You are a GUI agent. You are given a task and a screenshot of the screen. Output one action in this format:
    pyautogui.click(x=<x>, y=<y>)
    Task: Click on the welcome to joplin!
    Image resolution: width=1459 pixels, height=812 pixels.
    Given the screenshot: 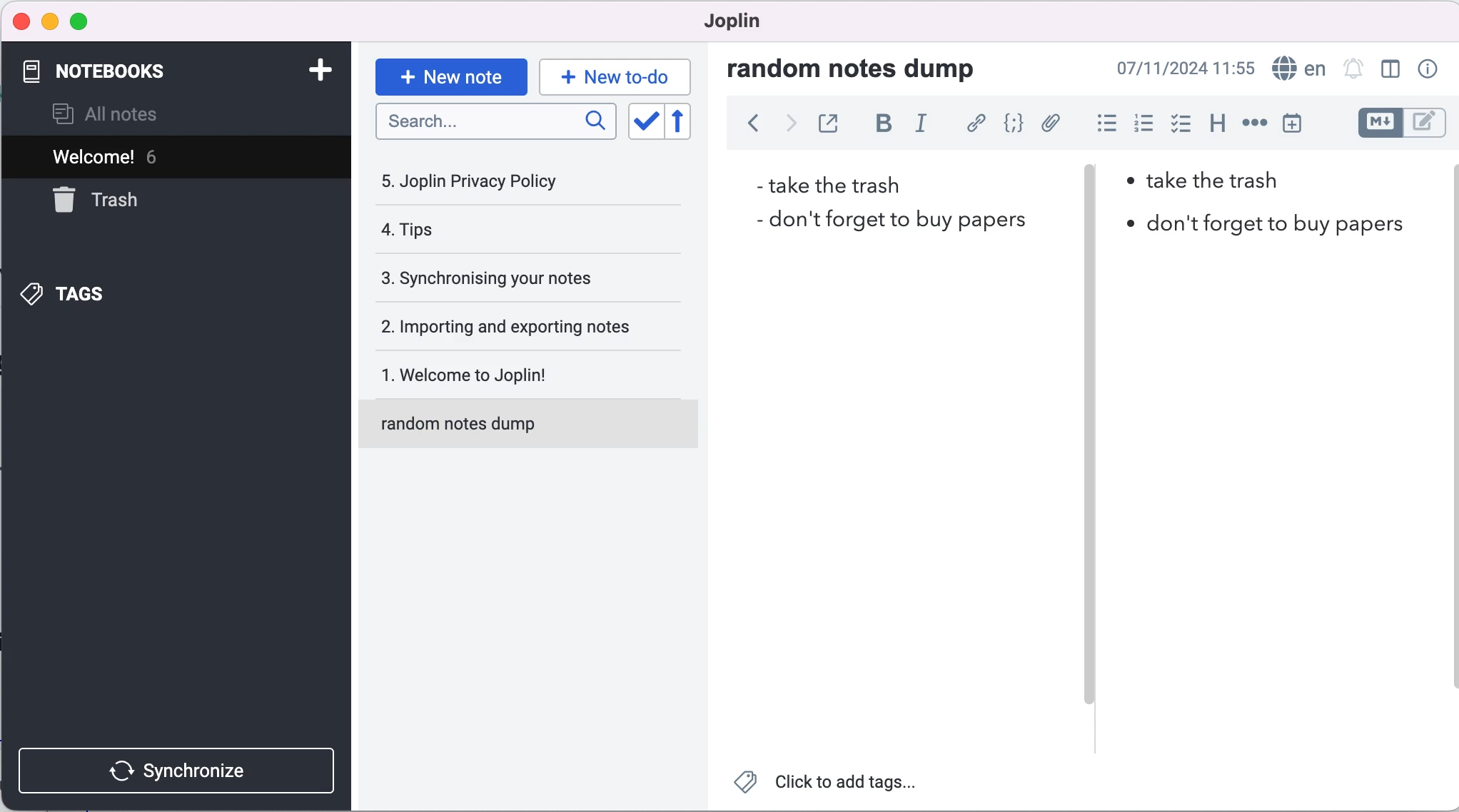 What is the action you would take?
    pyautogui.click(x=515, y=377)
    